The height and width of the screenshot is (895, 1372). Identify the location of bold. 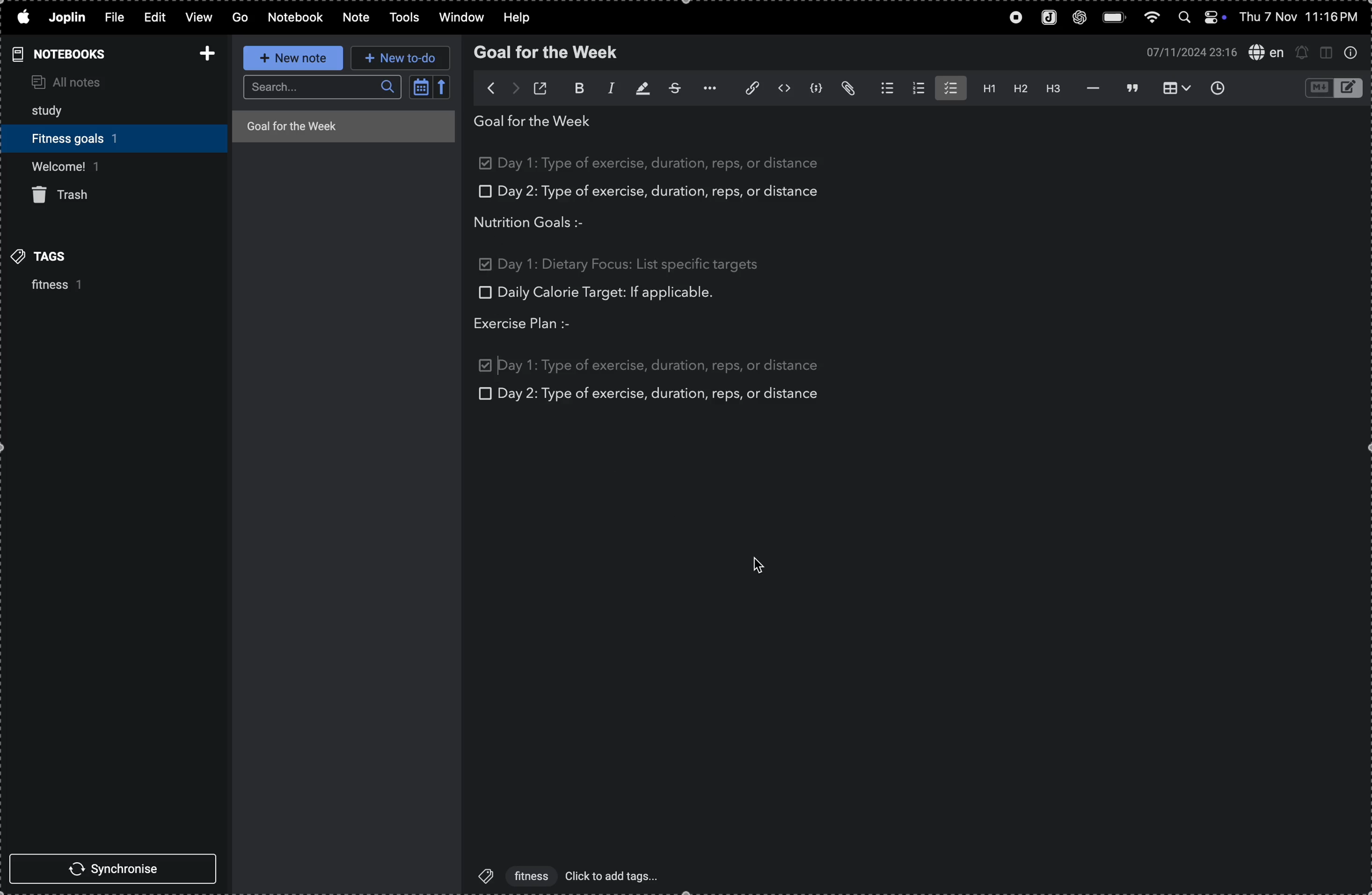
(572, 89).